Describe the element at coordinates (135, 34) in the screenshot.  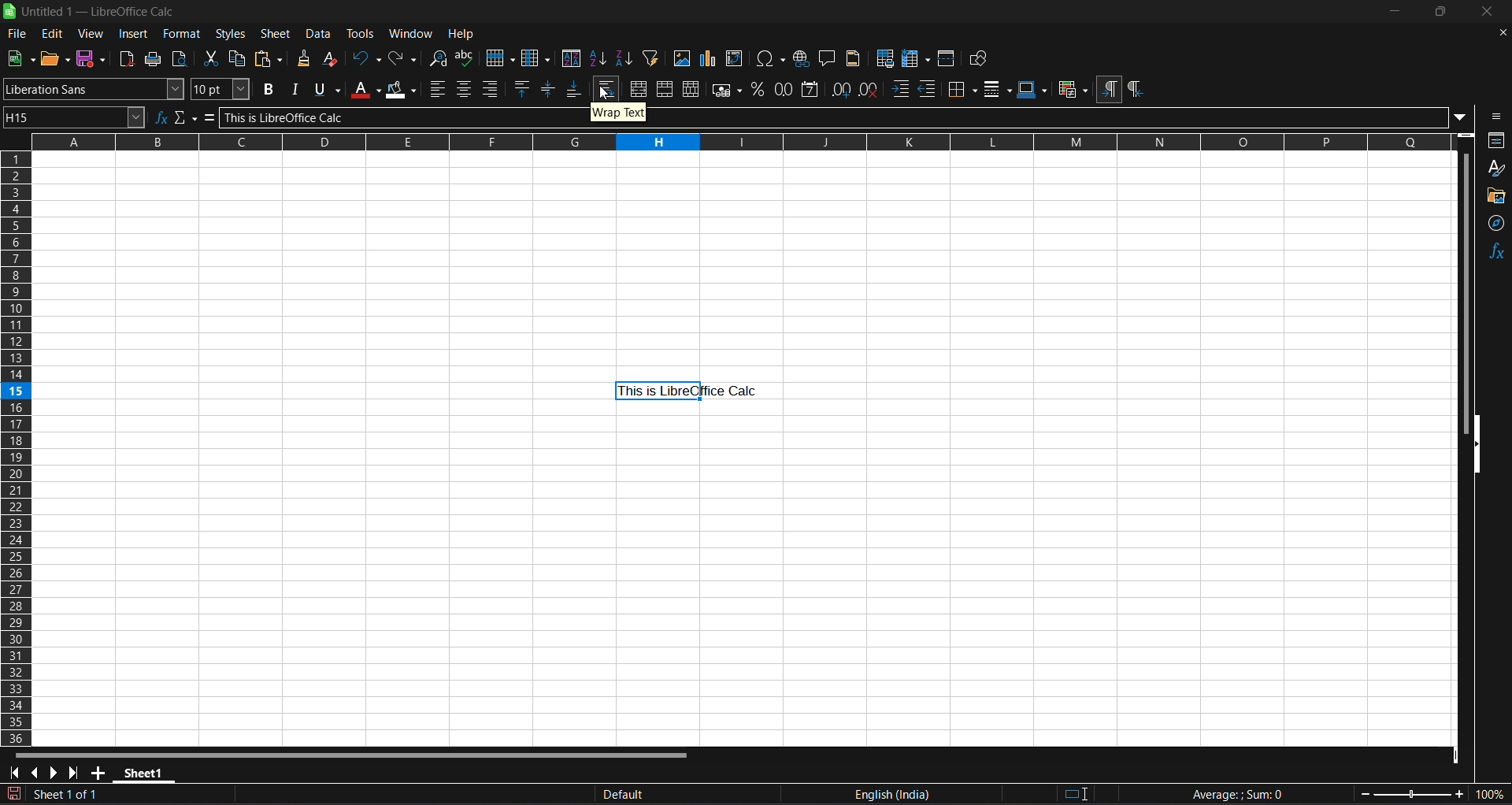
I see `insert` at that location.